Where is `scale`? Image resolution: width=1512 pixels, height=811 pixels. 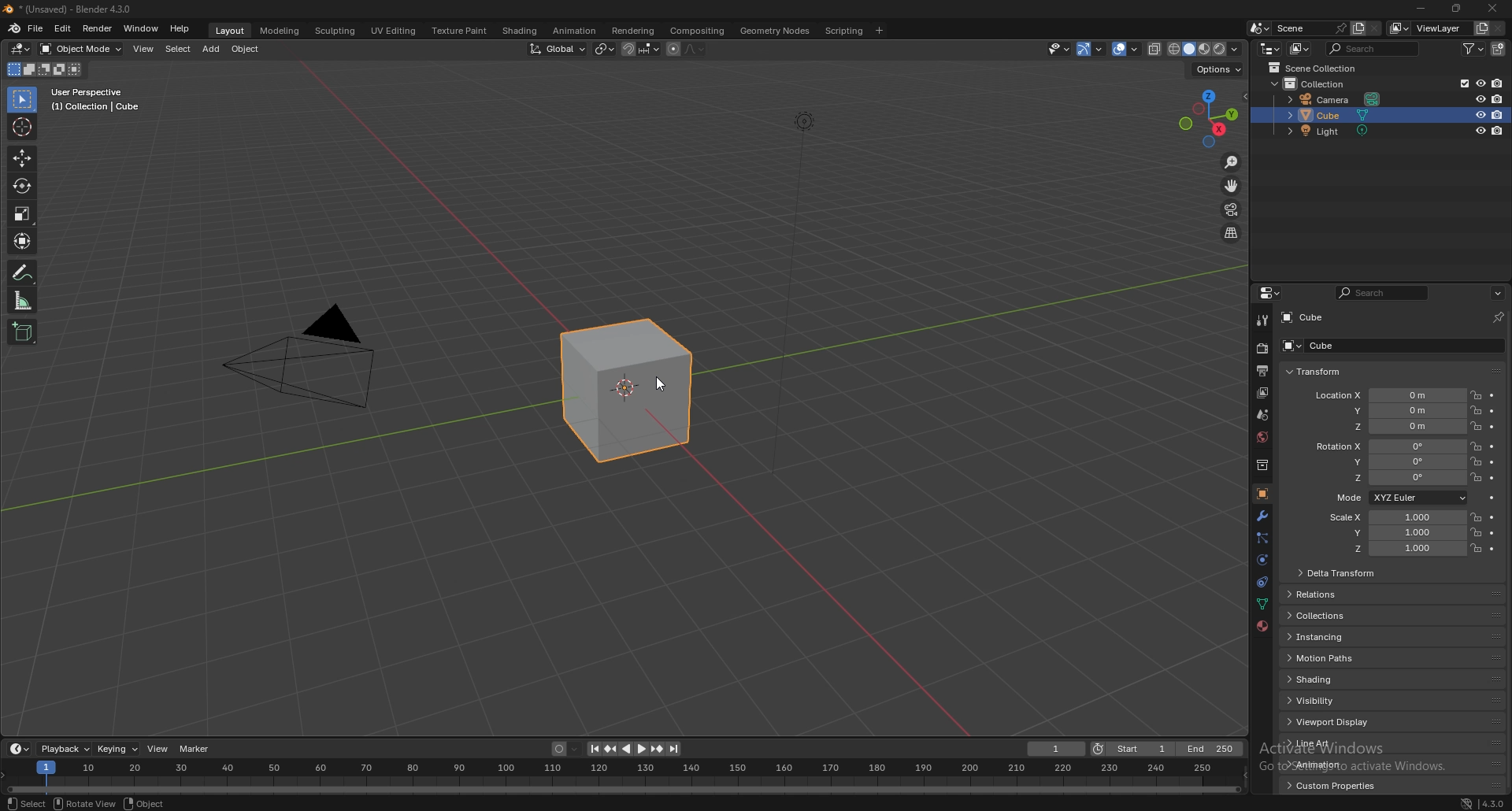 scale is located at coordinates (22, 213).